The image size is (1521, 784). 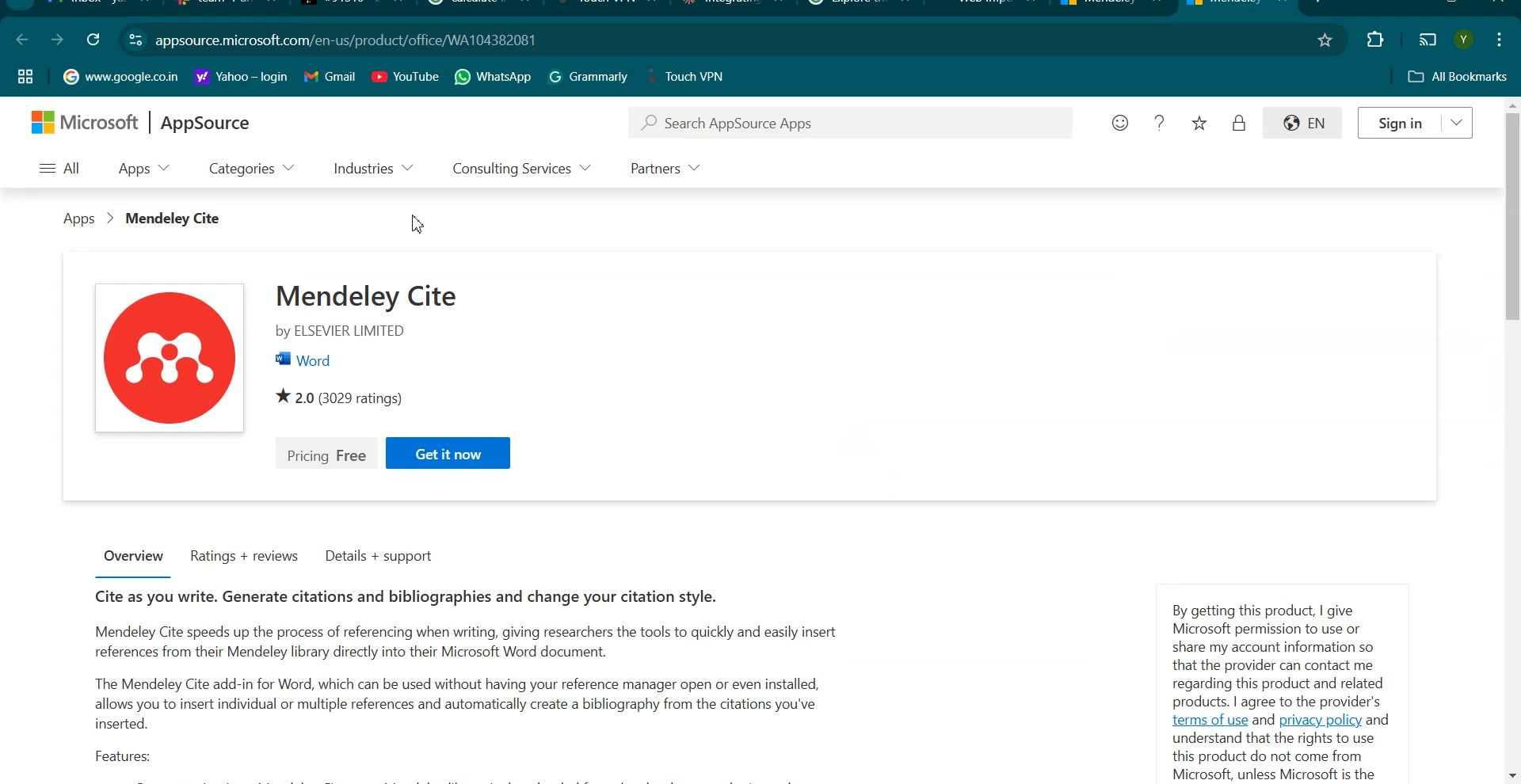 I want to click on Mendeley cite, so click(x=172, y=218).